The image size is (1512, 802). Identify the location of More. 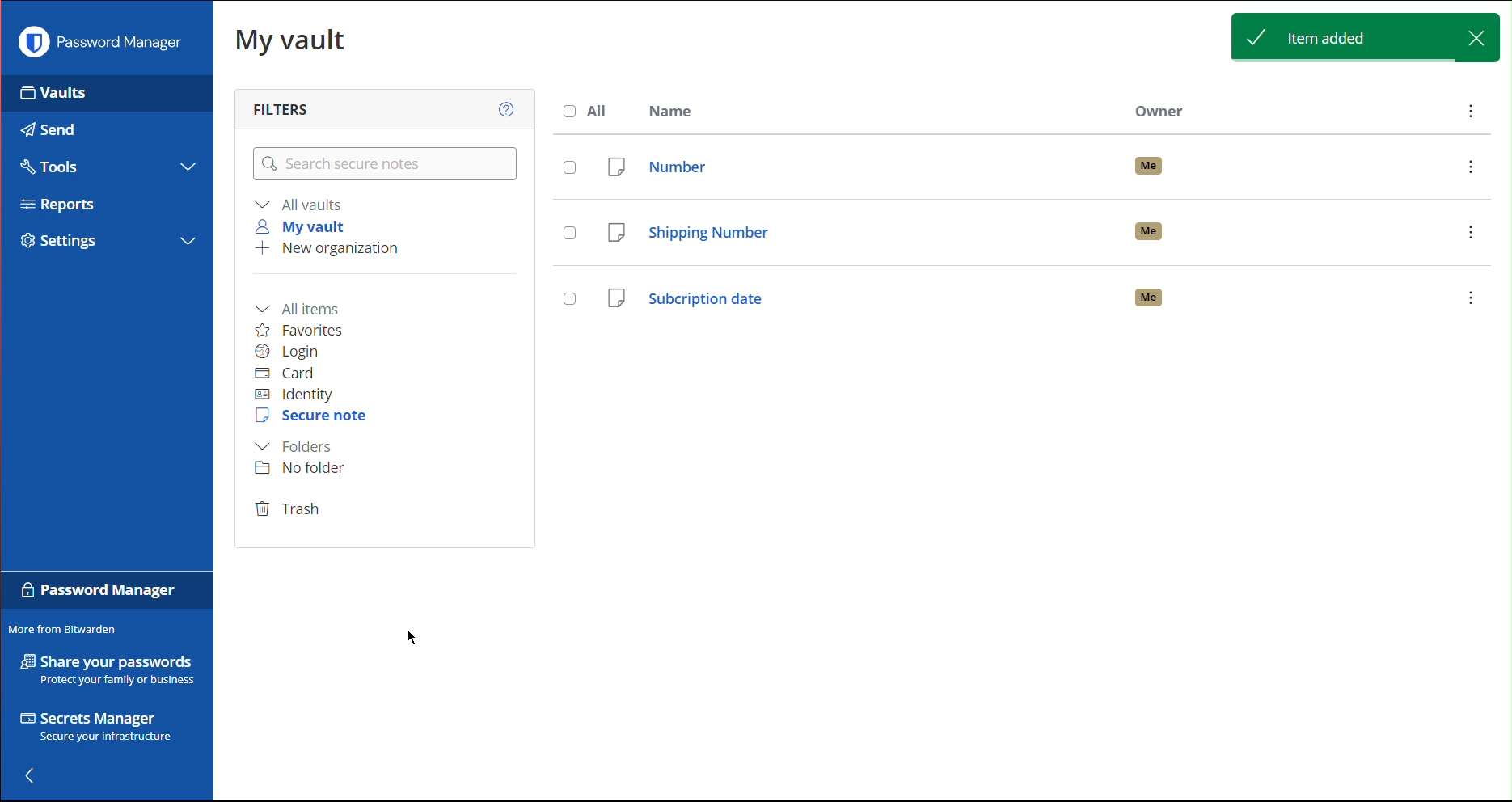
(1469, 112).